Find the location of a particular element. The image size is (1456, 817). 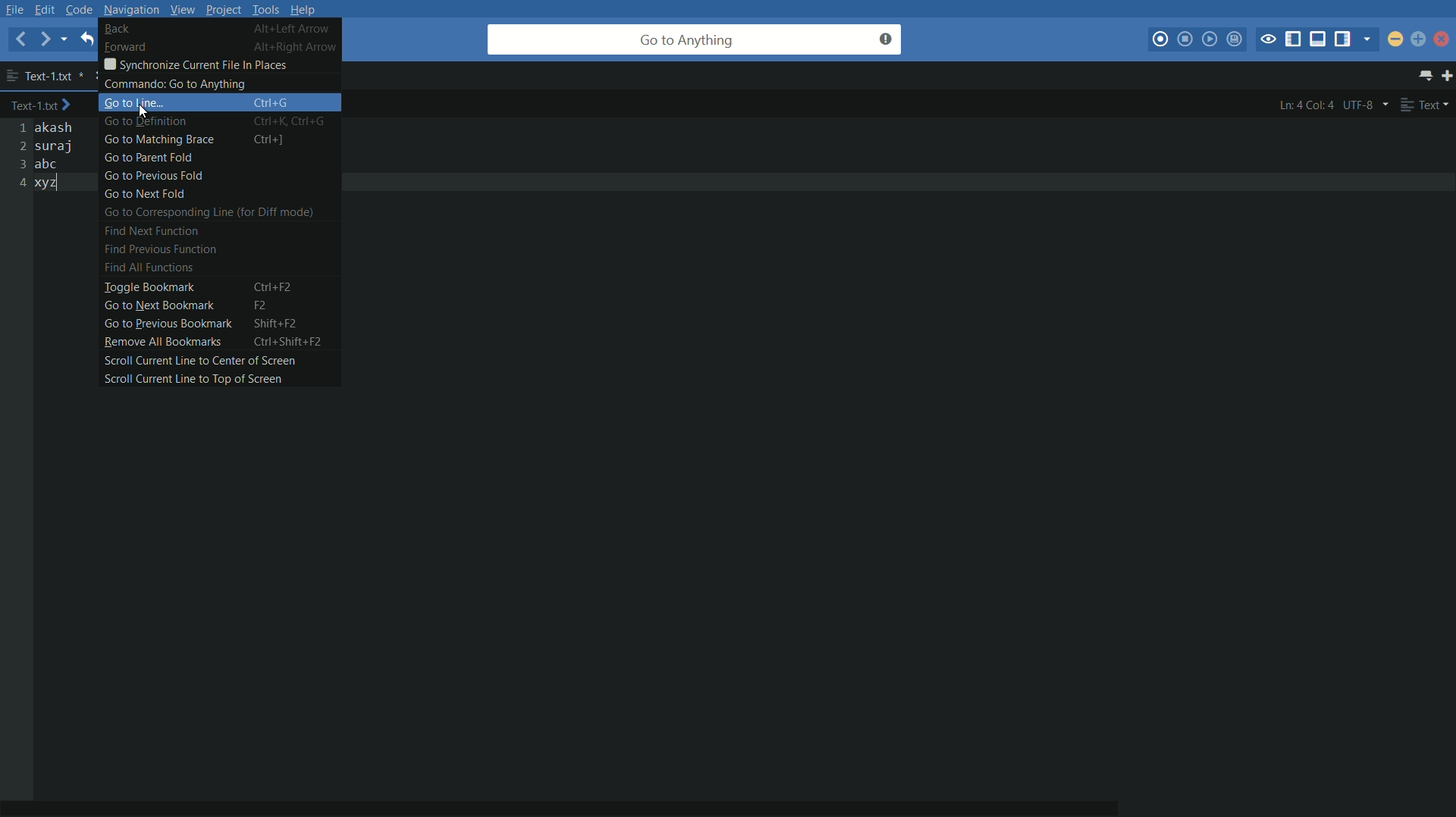

go to matching place is located at coordinates (158, 141).